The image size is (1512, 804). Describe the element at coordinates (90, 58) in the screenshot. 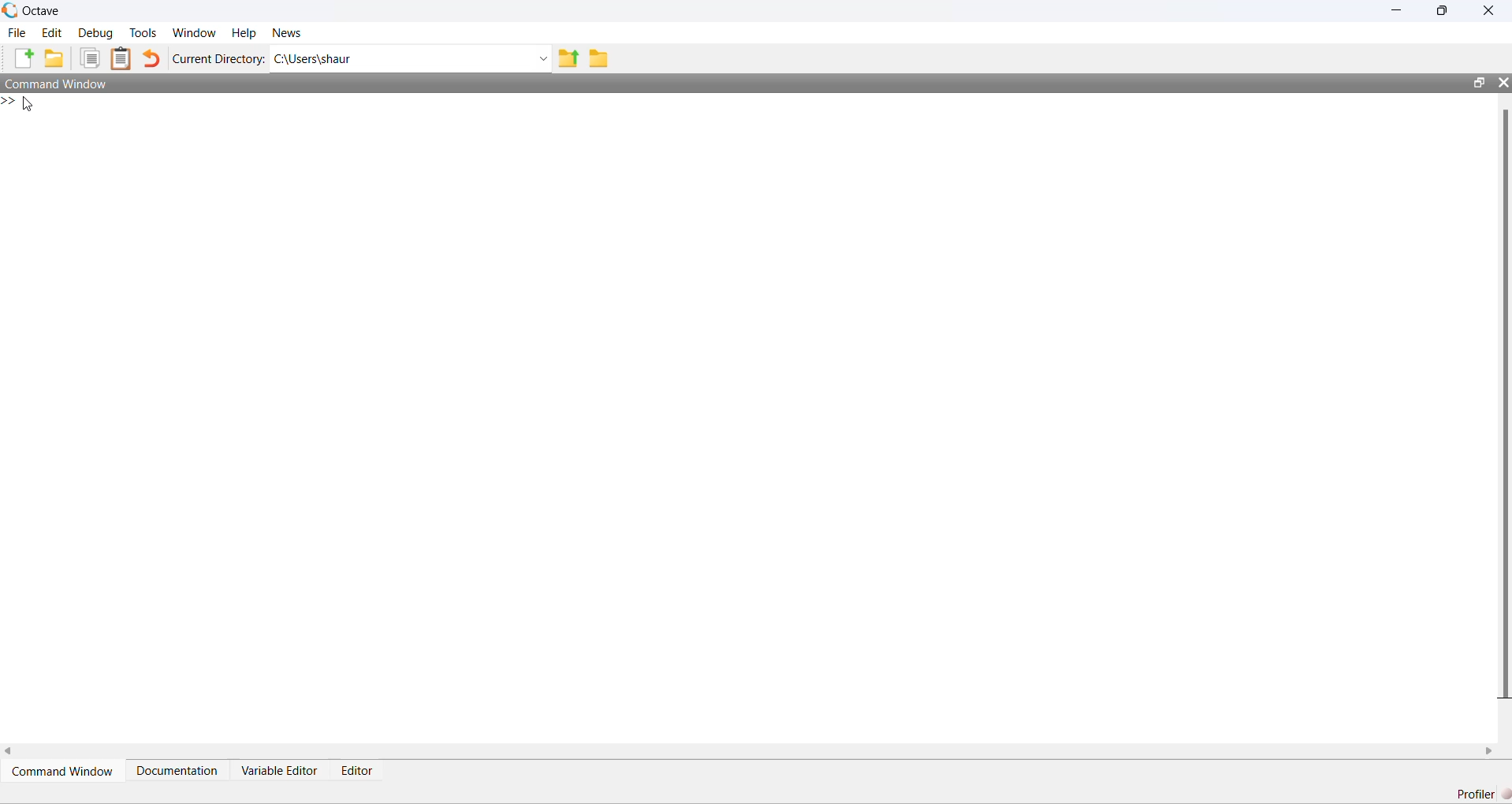

I see `copy` at that location.